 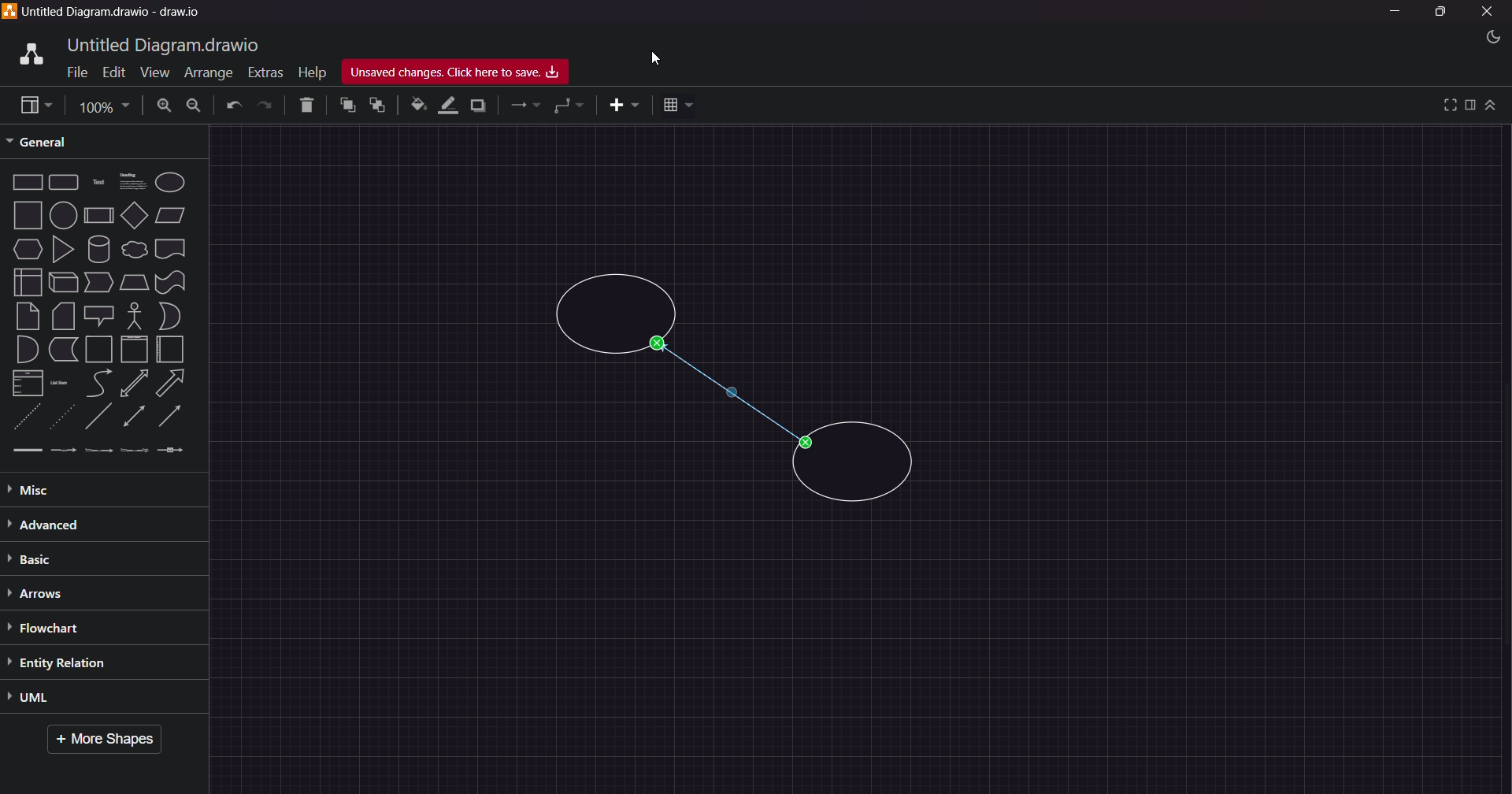 What do you see at coordinates (1492, 106) in the screenshot?
I see `collapse/expand` at bounding box center [1492, 106].